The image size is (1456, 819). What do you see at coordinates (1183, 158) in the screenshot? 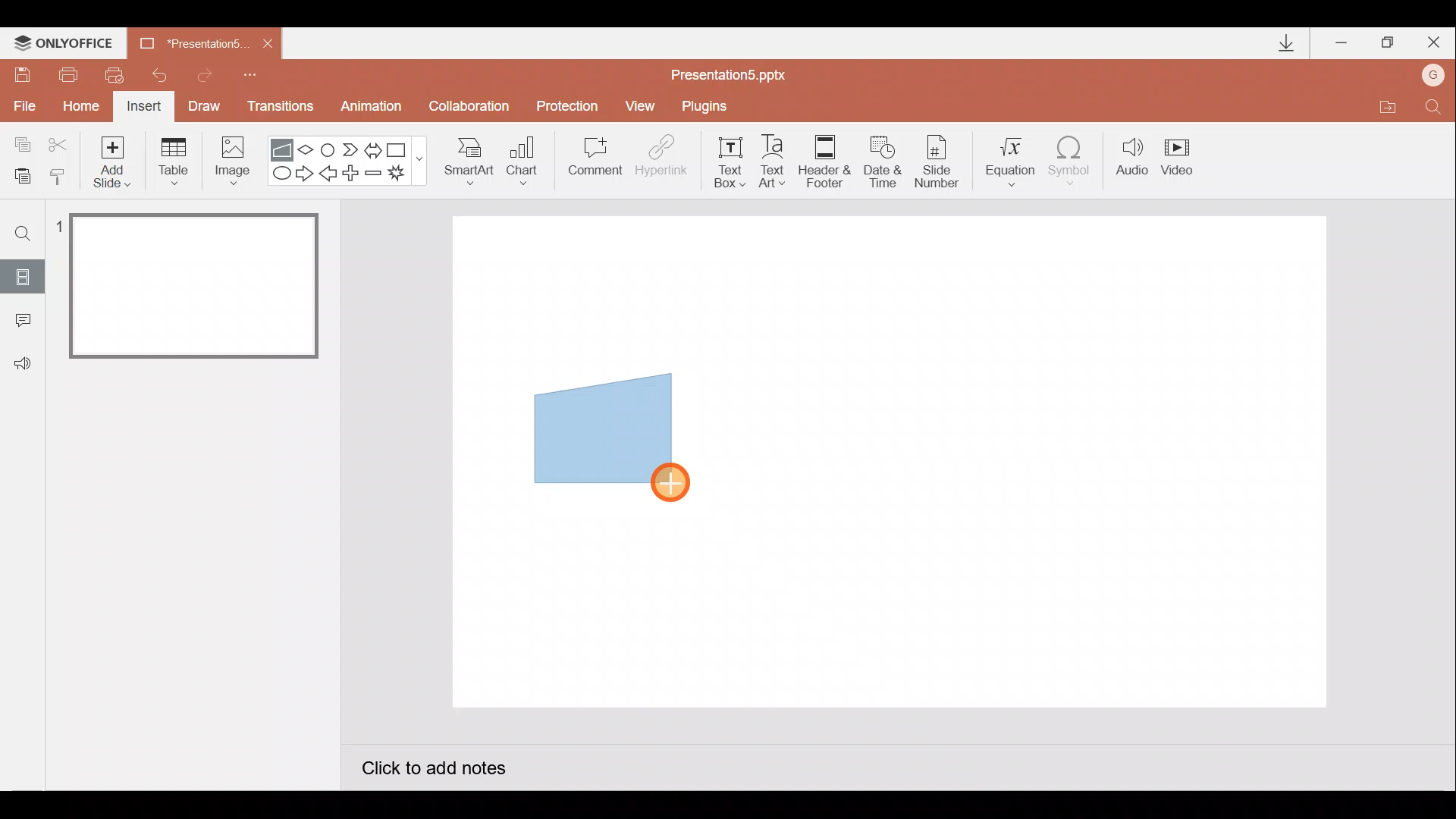
I see `Video` at bounding box center [1183, 158].